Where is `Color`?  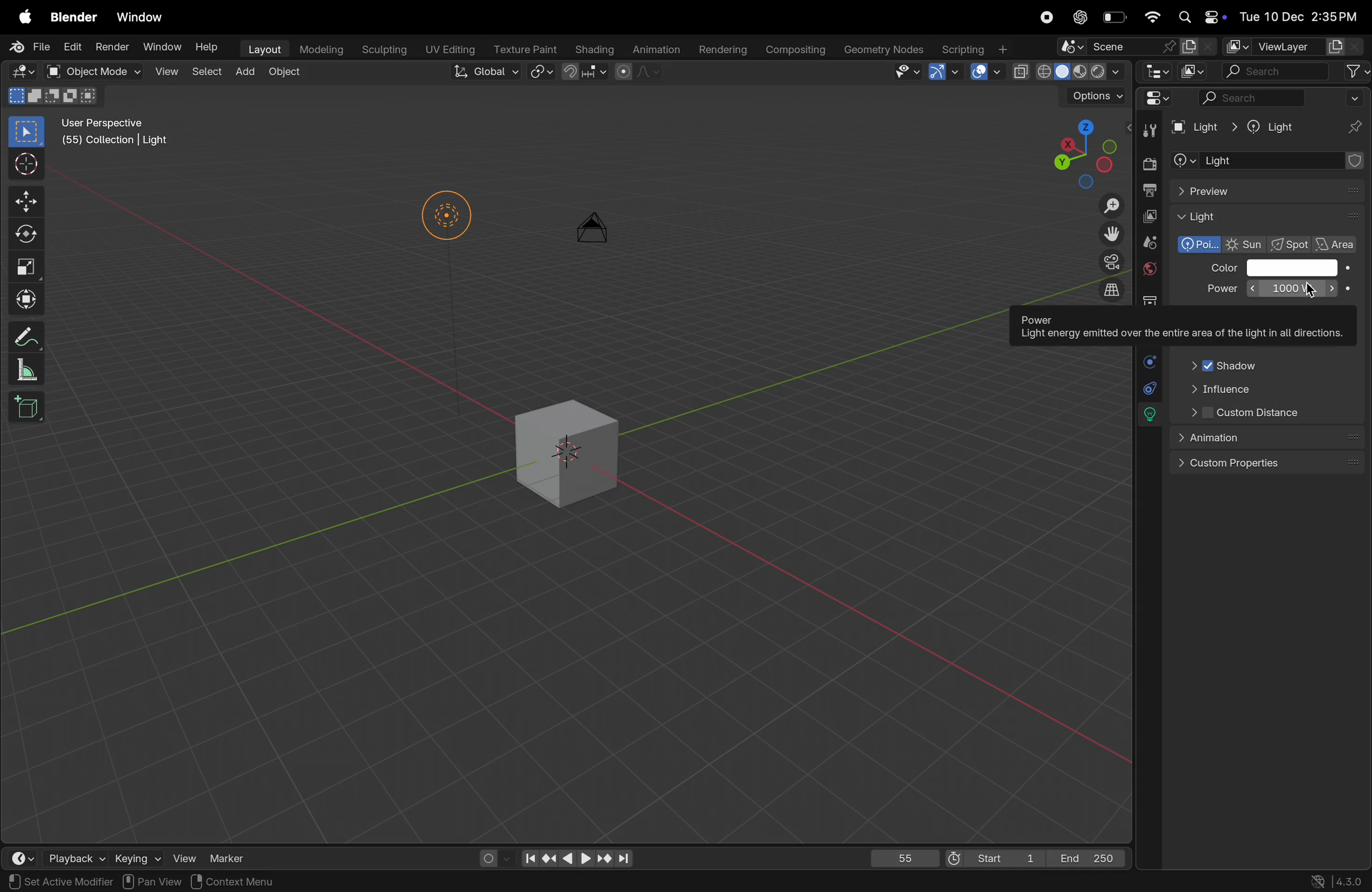 Color is located at coordinates (1220, 270).